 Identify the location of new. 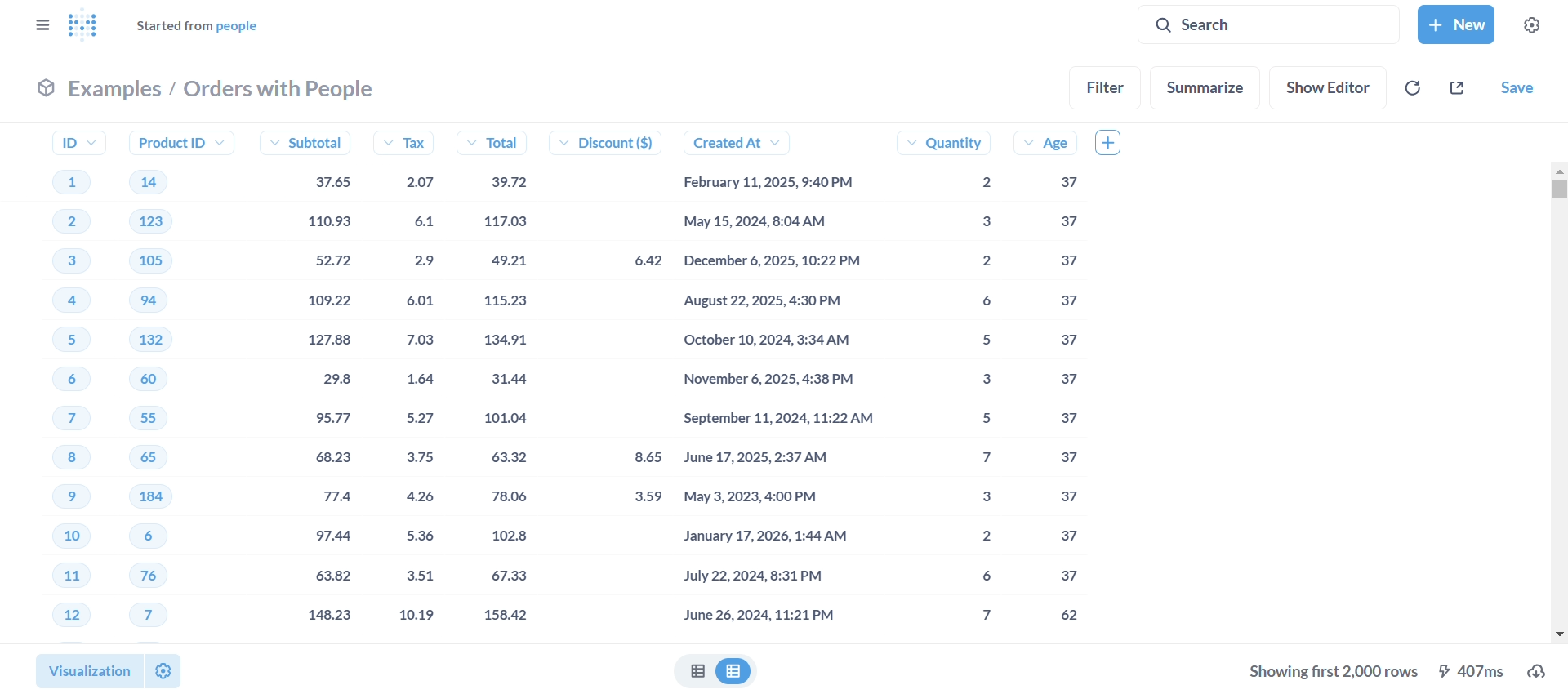
(1457, 24).